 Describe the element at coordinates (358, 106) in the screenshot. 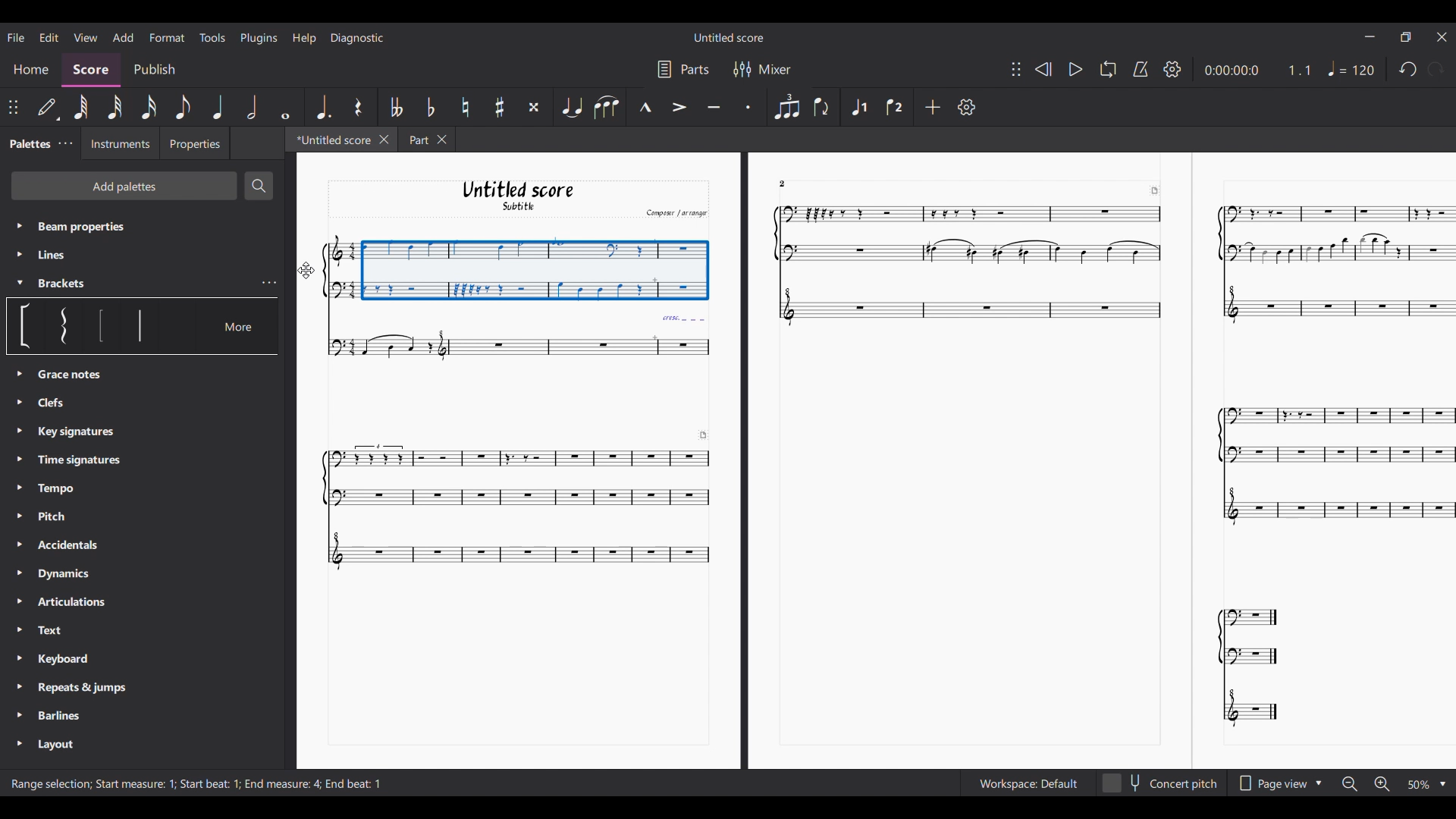

I see `Rest` at that location.